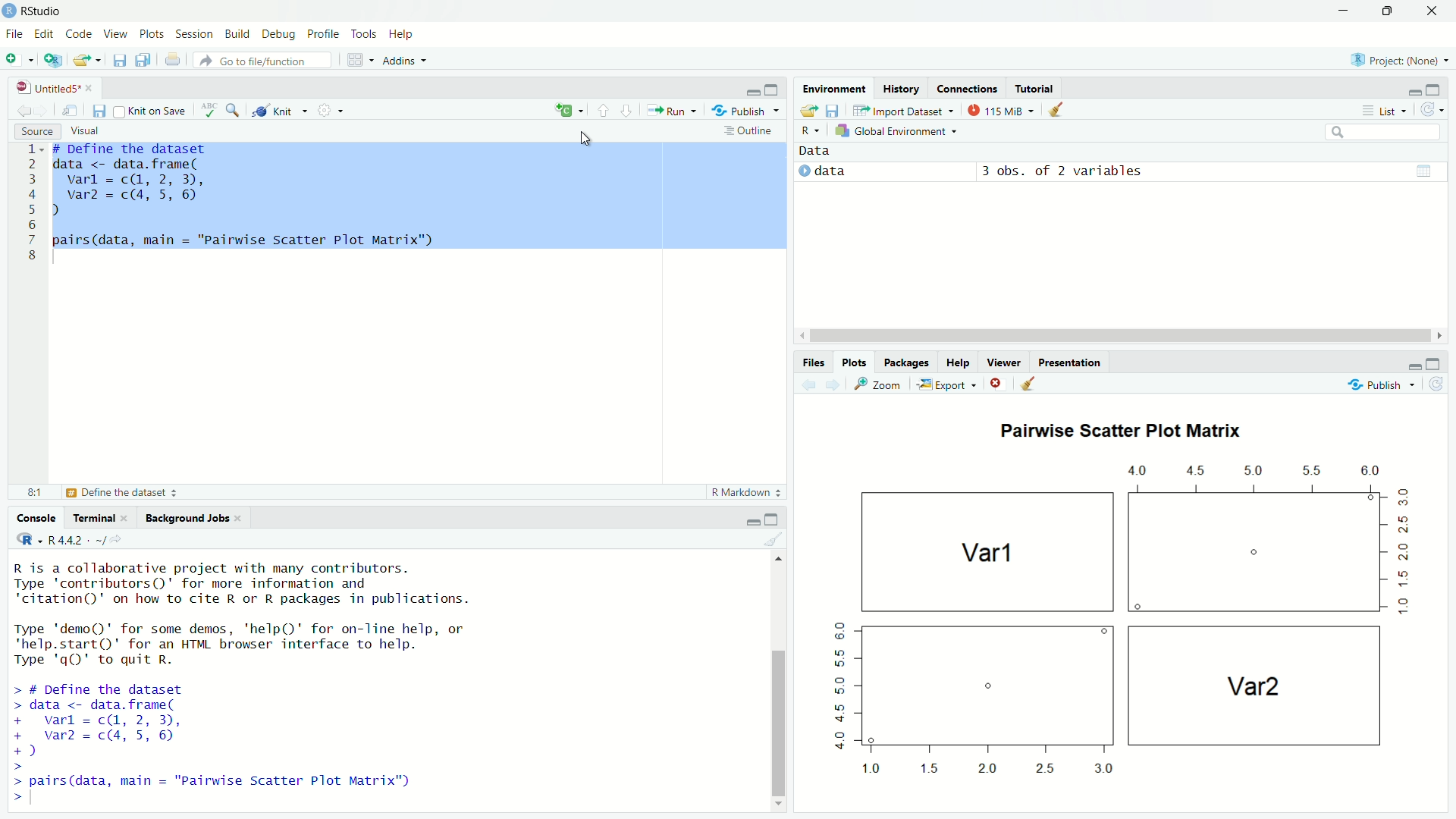 This screenshot has height=819, width=1456. I want to click on View the current working directory, so click(118, 537).